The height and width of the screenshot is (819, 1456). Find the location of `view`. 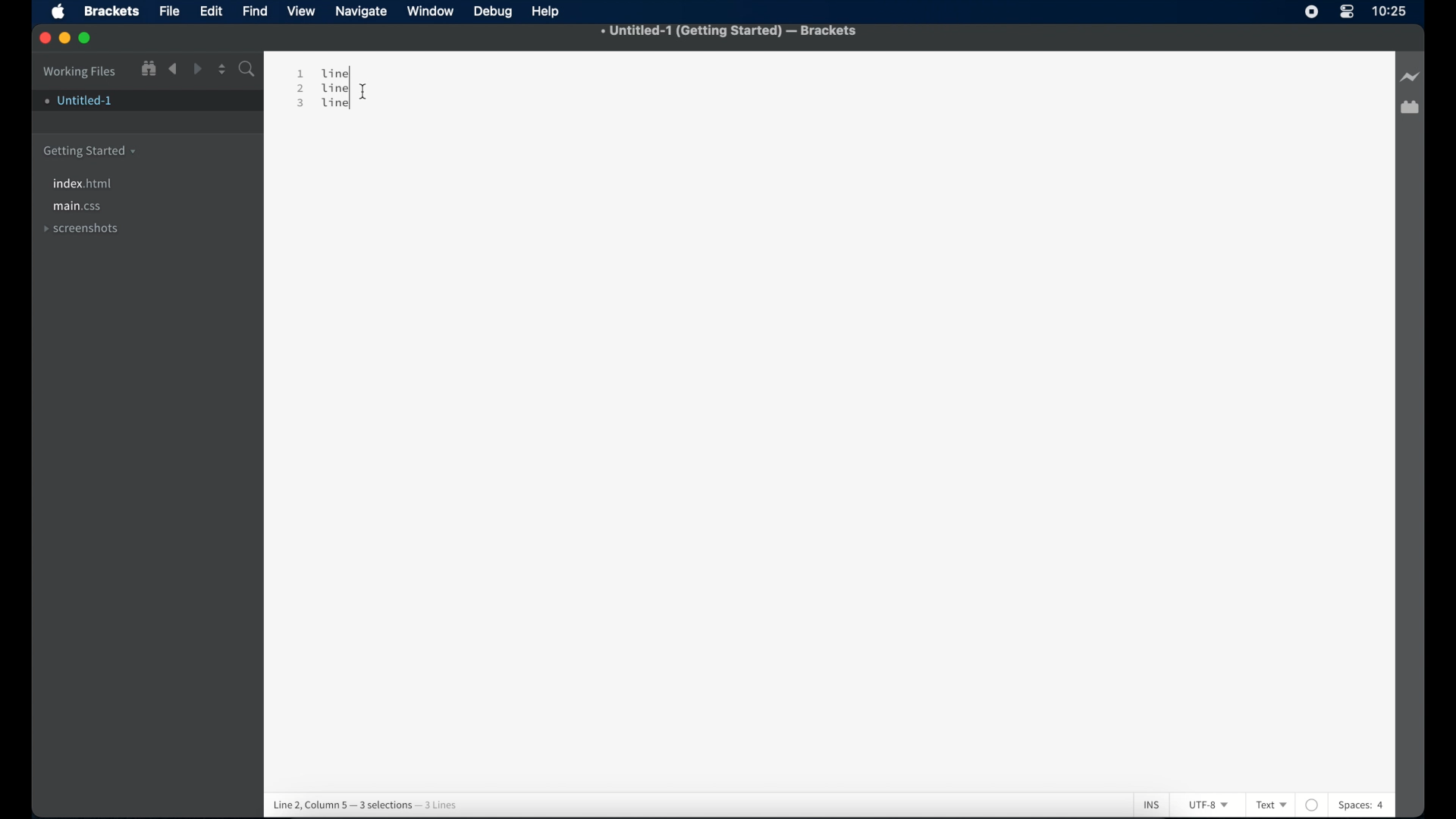

view is located at coordinates (303, 11).